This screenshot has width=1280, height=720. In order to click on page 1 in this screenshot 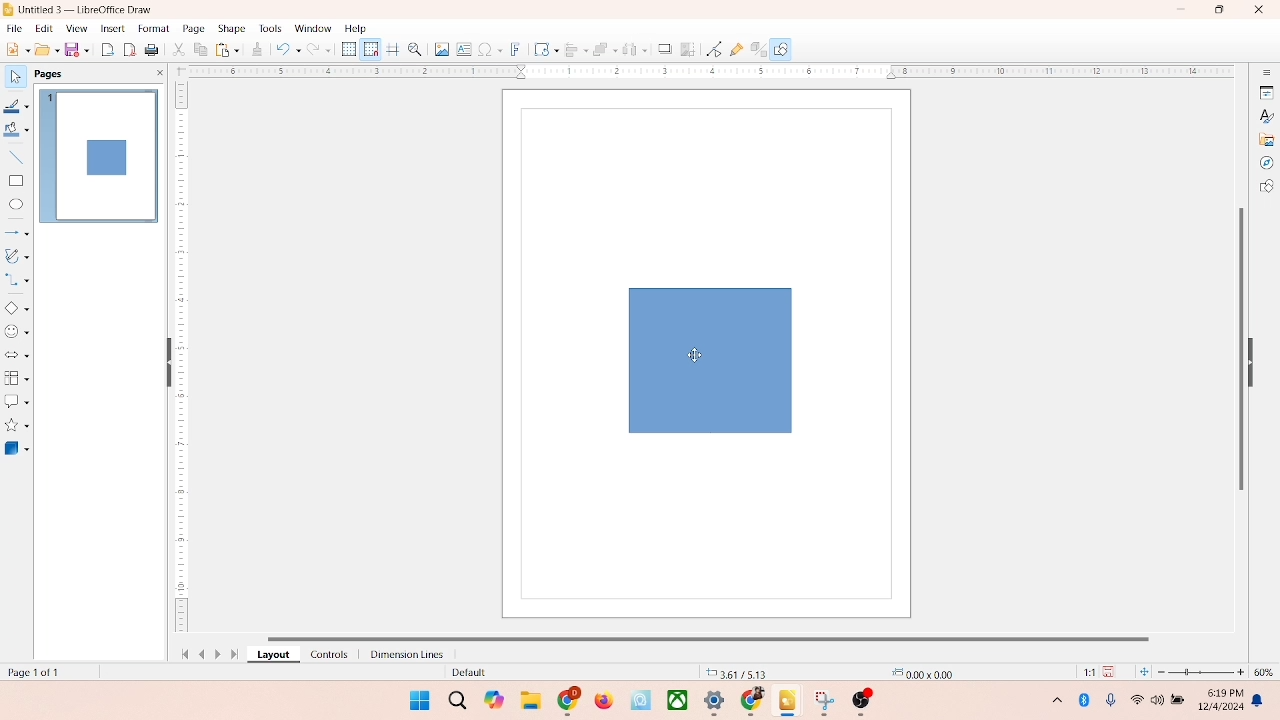, I will do `click(99, 155)`.